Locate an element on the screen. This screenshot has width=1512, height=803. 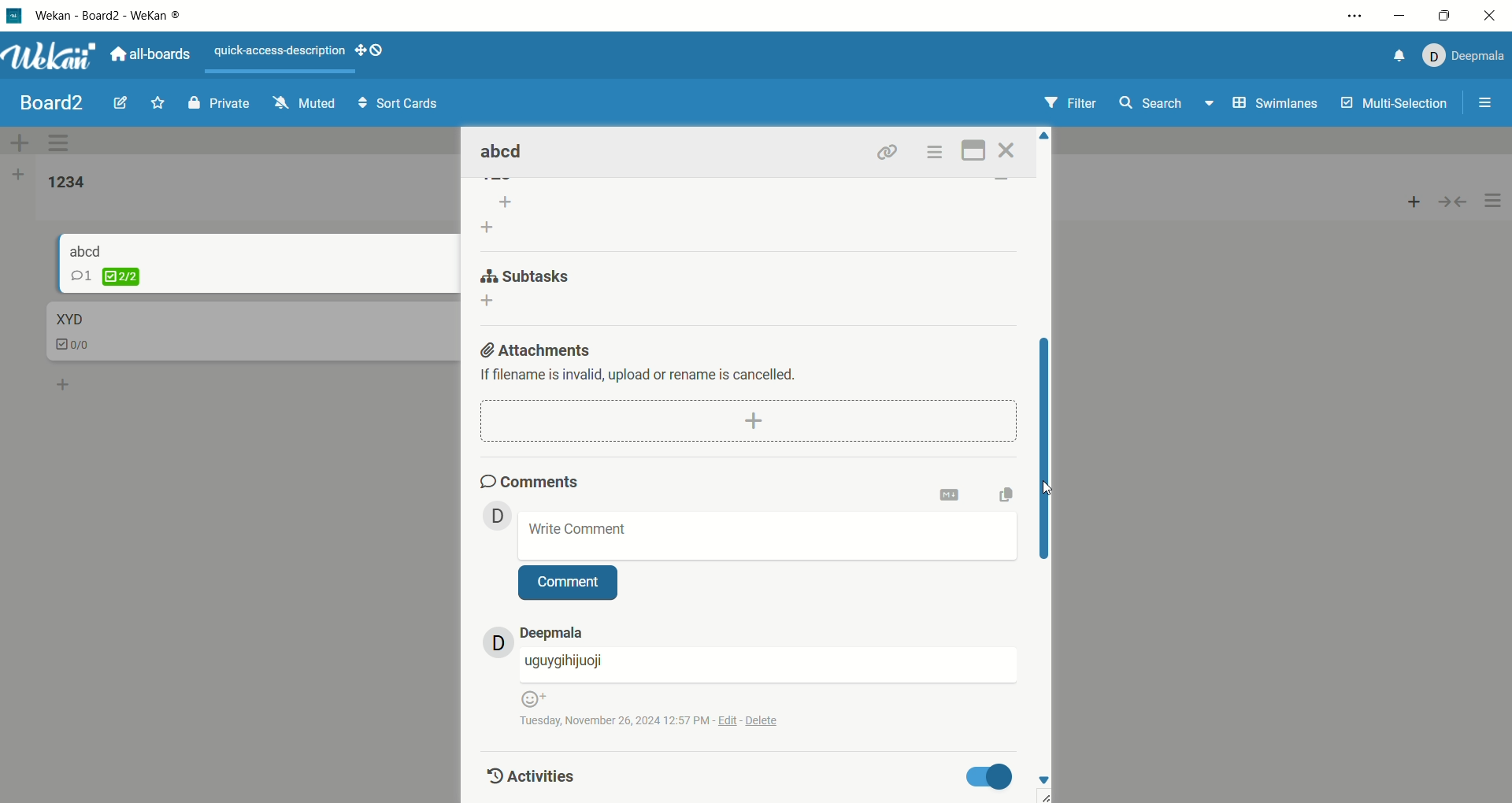
list title is located at coordinates (67, 183).